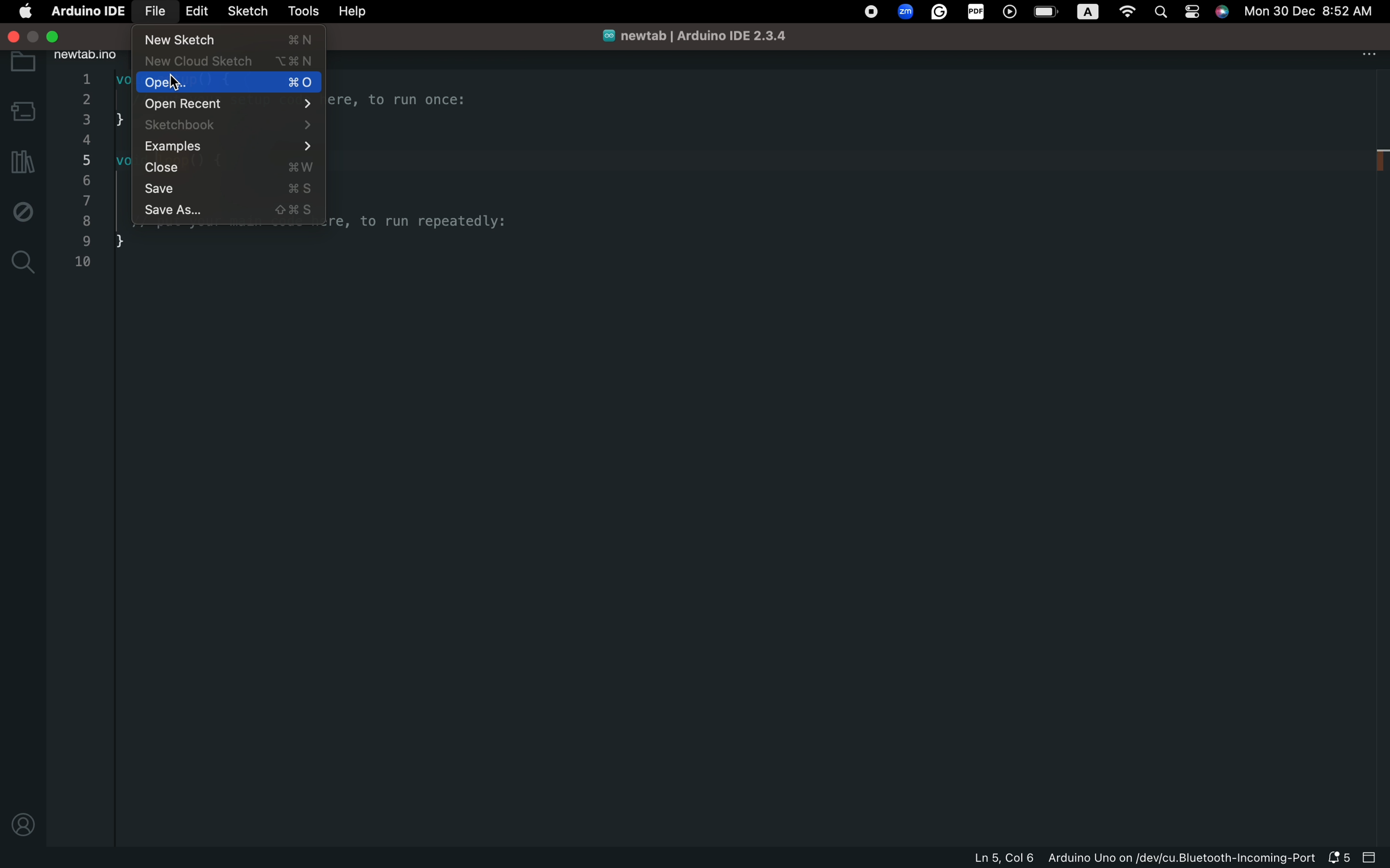 The height and width of the screenshot is (868, 1390). I want to click on debug, so click(21, 210).